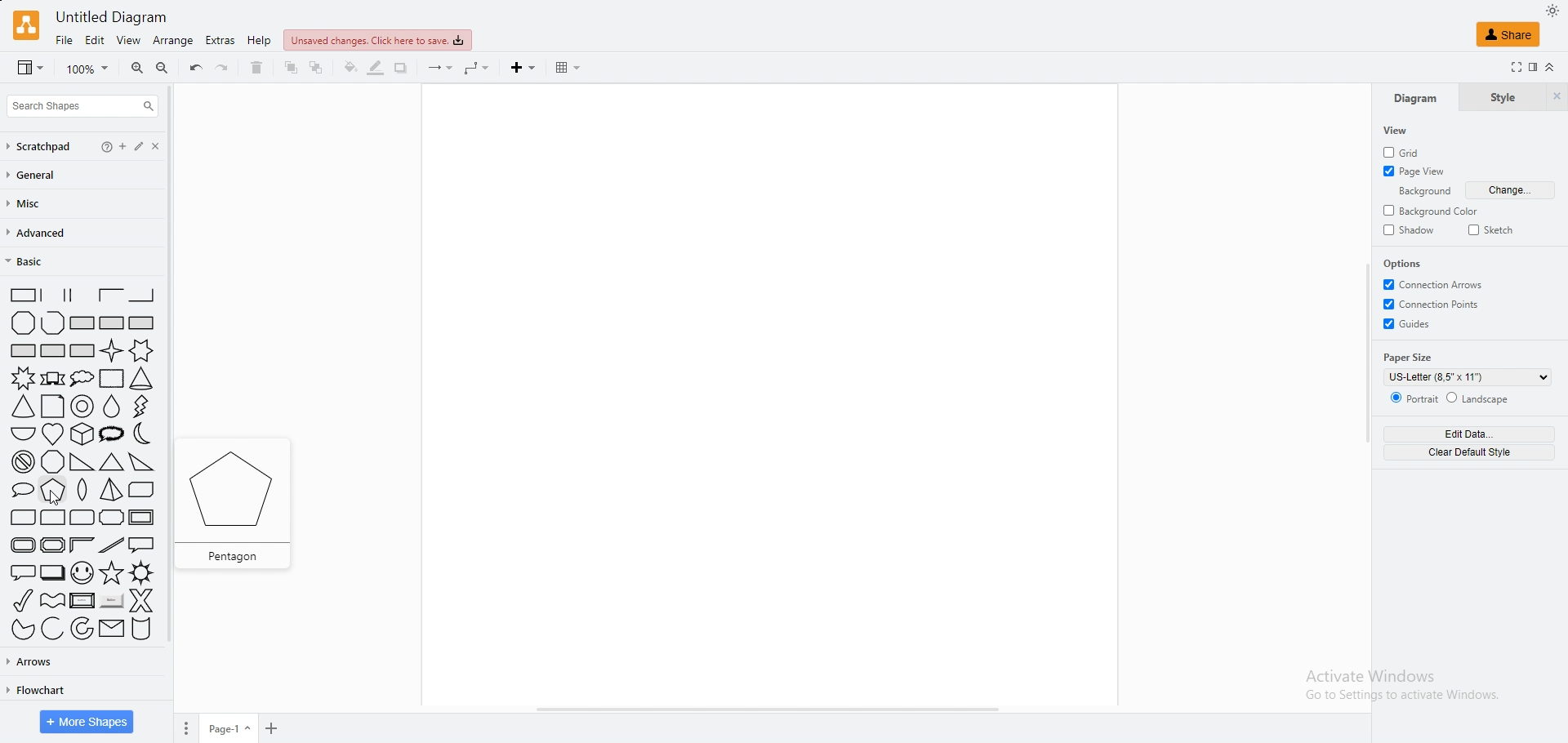  What do you see at coordinates (1468, 452) in the screenshot?
I see `clear default style` at bounding box center [1468, 452].